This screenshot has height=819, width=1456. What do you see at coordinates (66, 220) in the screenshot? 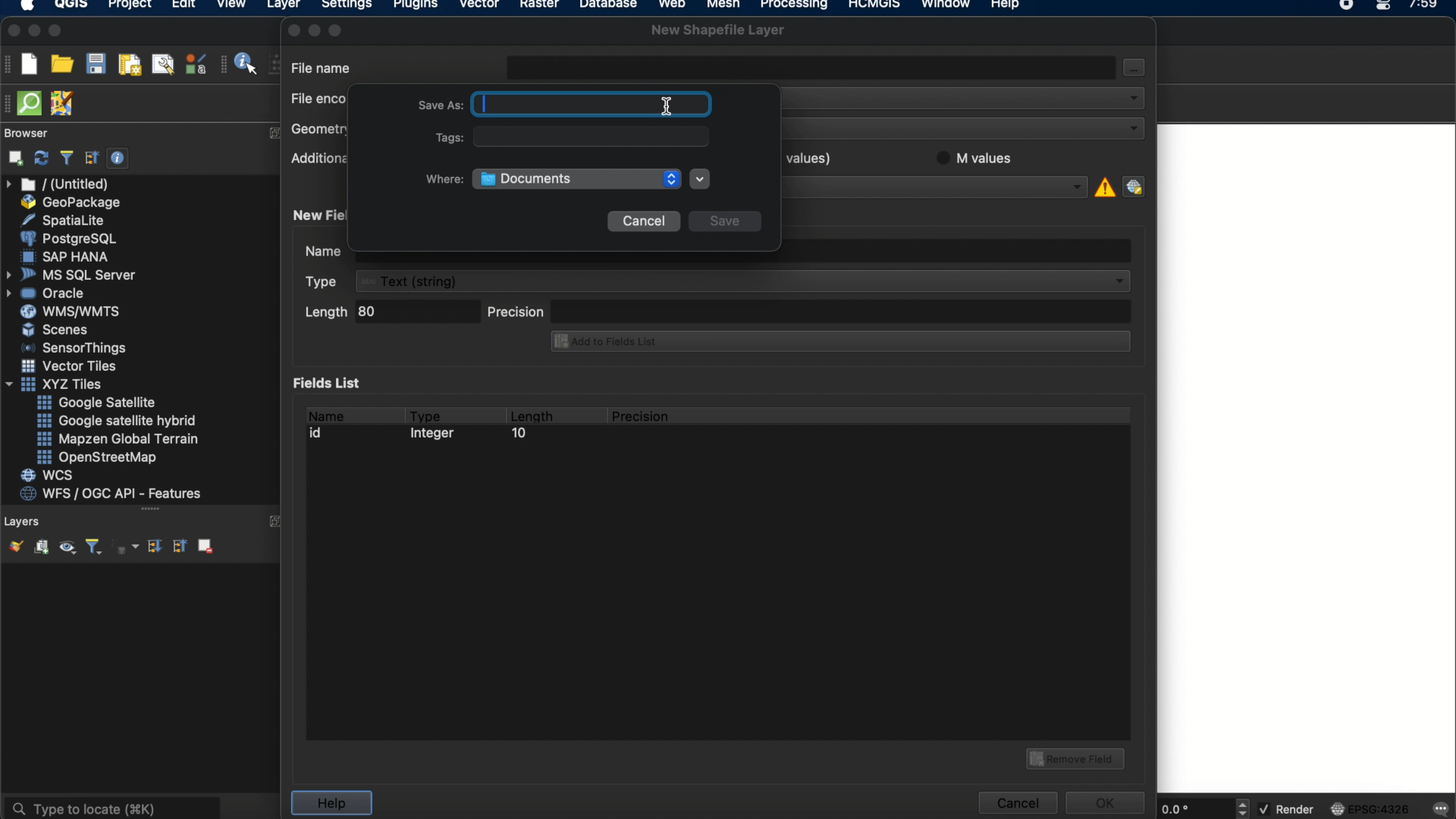
I see `spatiallite` at bounding box center [66, 220].